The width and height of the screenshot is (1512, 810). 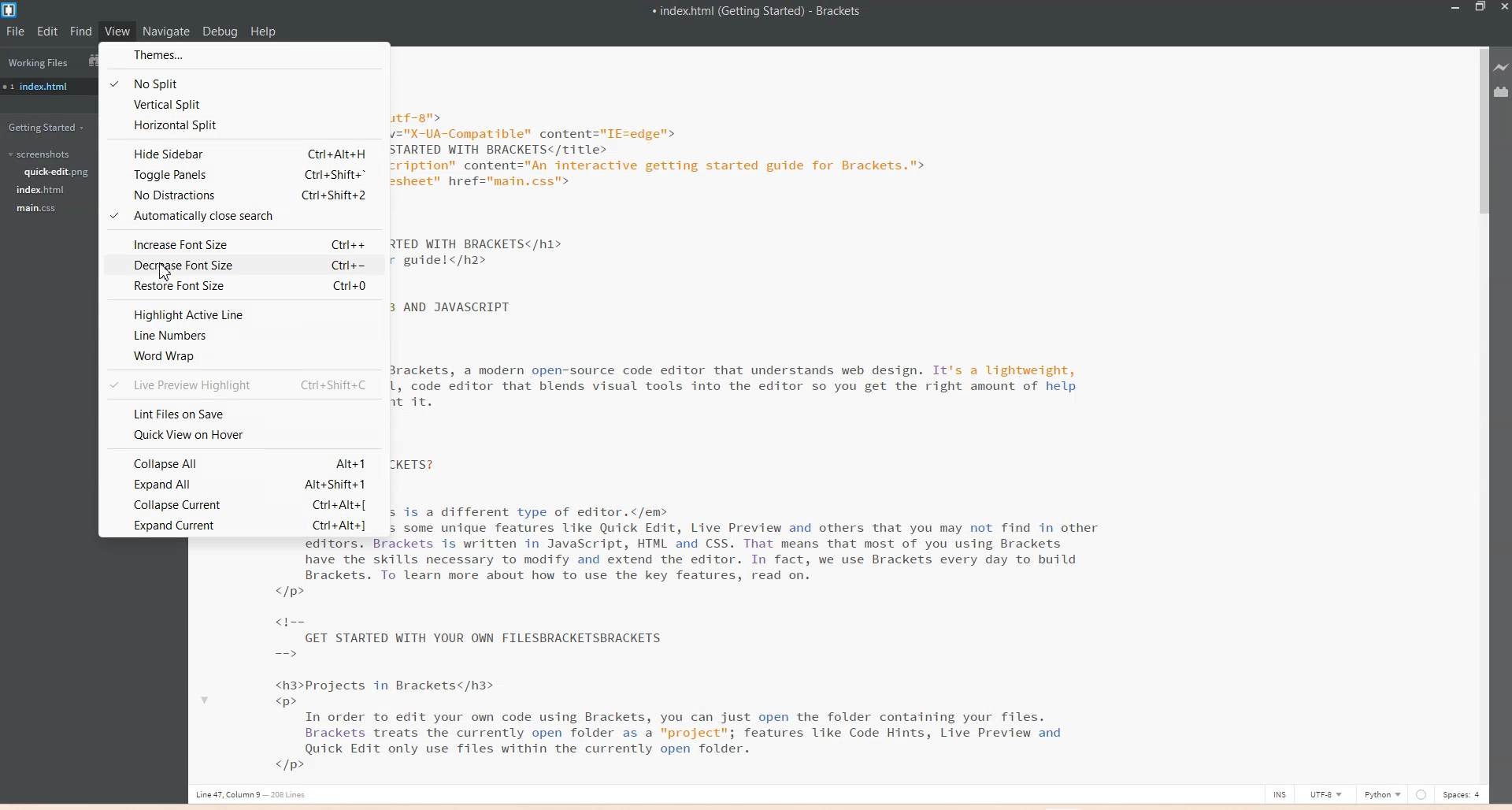 What do you see at coordinates (1480, 9) in the screenshot?
I see `Maximize` at bounding box center [1480, 9].